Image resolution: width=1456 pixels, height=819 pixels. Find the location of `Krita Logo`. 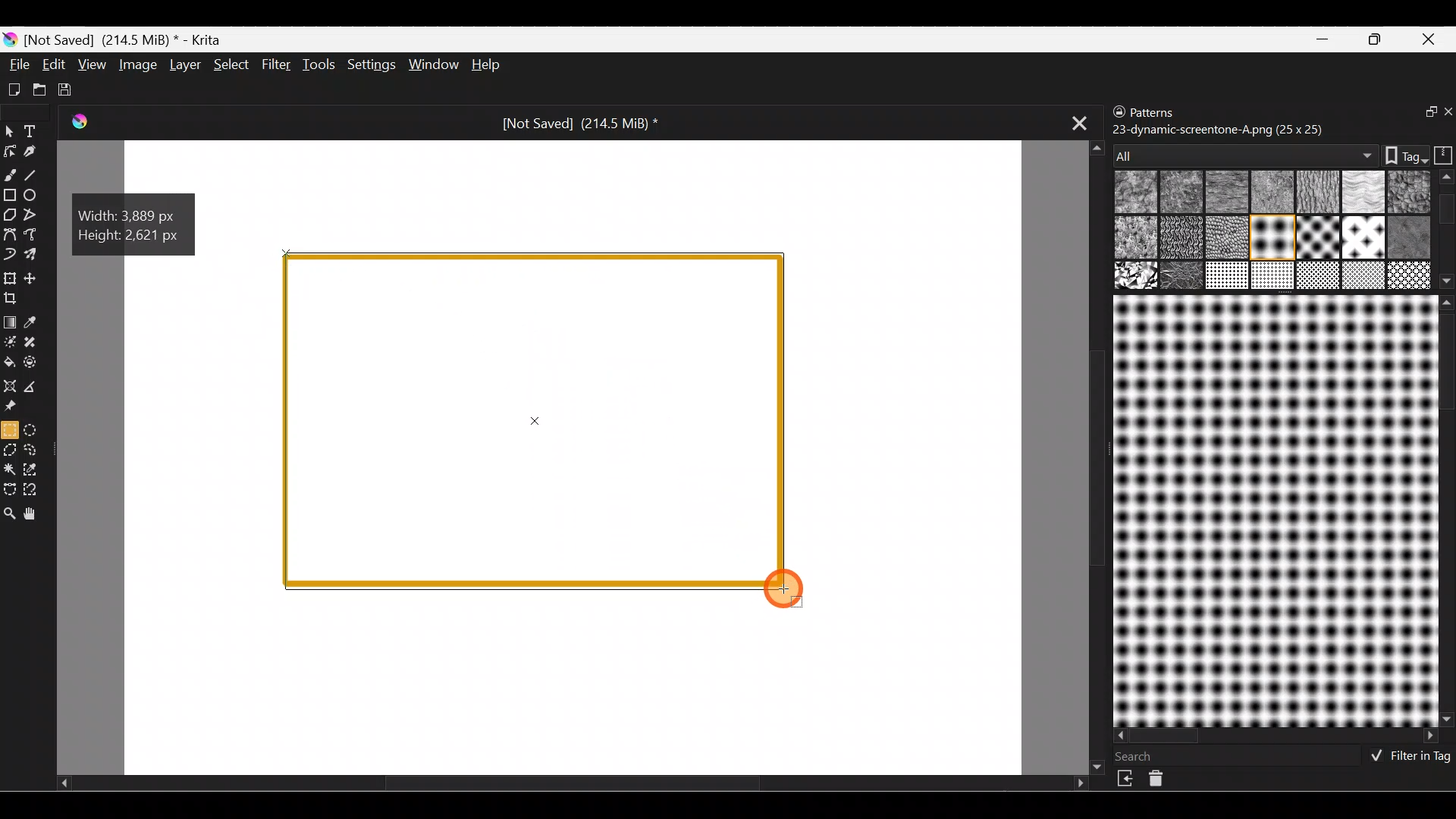

Krita Logo is located at coordinates (86, 123).